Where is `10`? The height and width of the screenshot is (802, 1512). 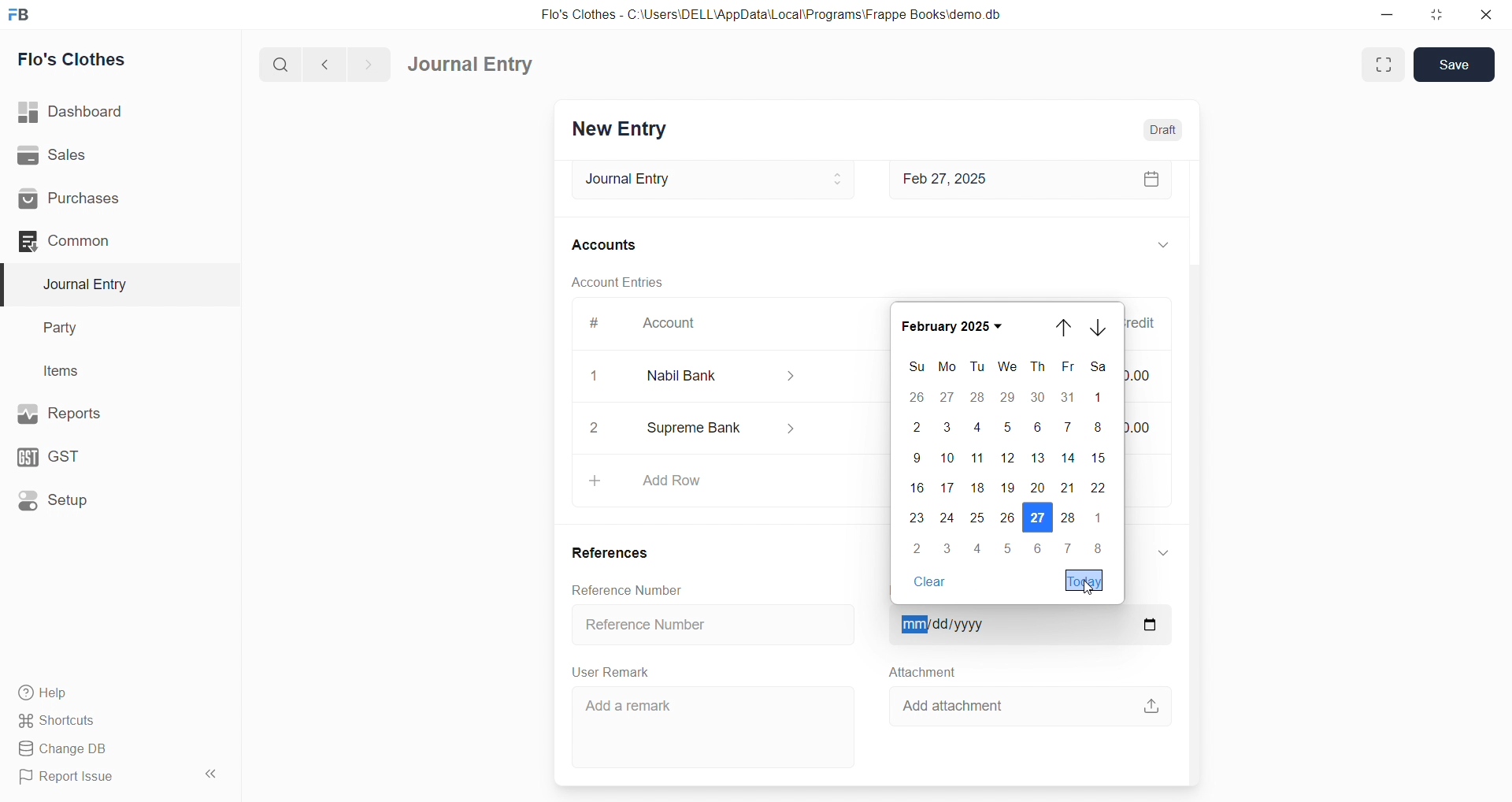 10 is located at coordinates (947, 461).